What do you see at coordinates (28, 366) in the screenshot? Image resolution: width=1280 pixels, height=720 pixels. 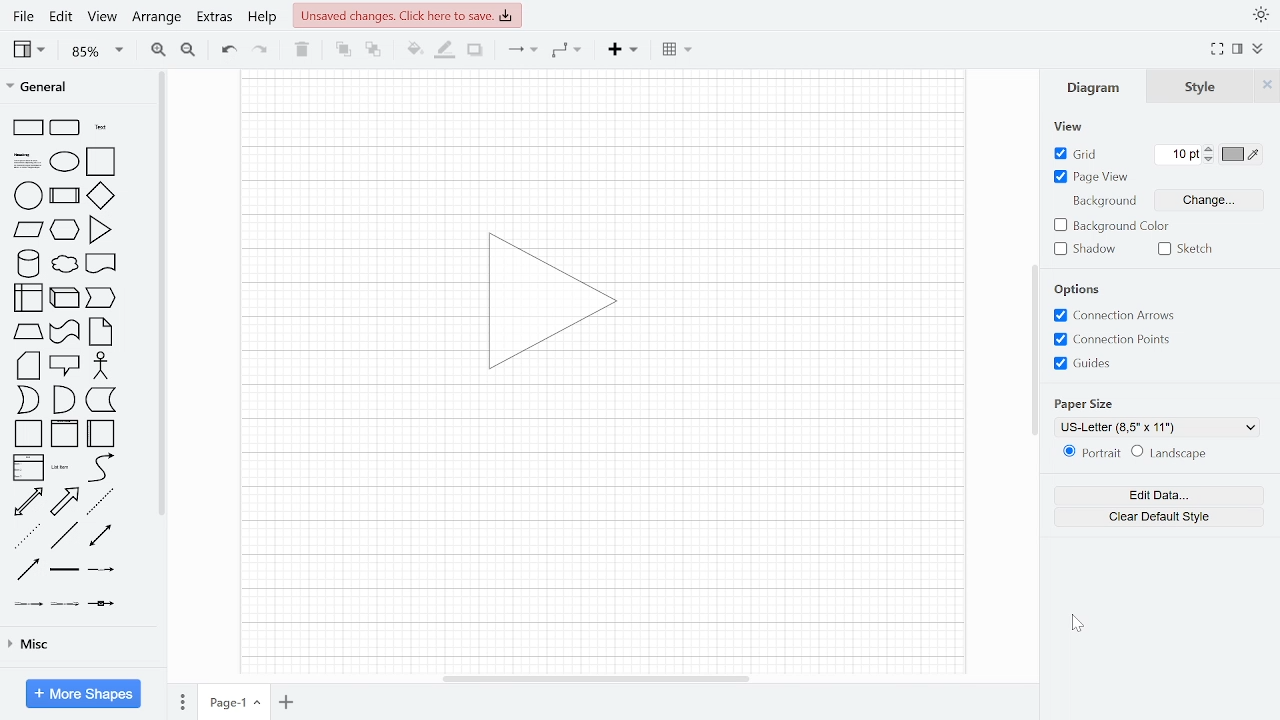 I see `Card` at bounding box center [28, 366].